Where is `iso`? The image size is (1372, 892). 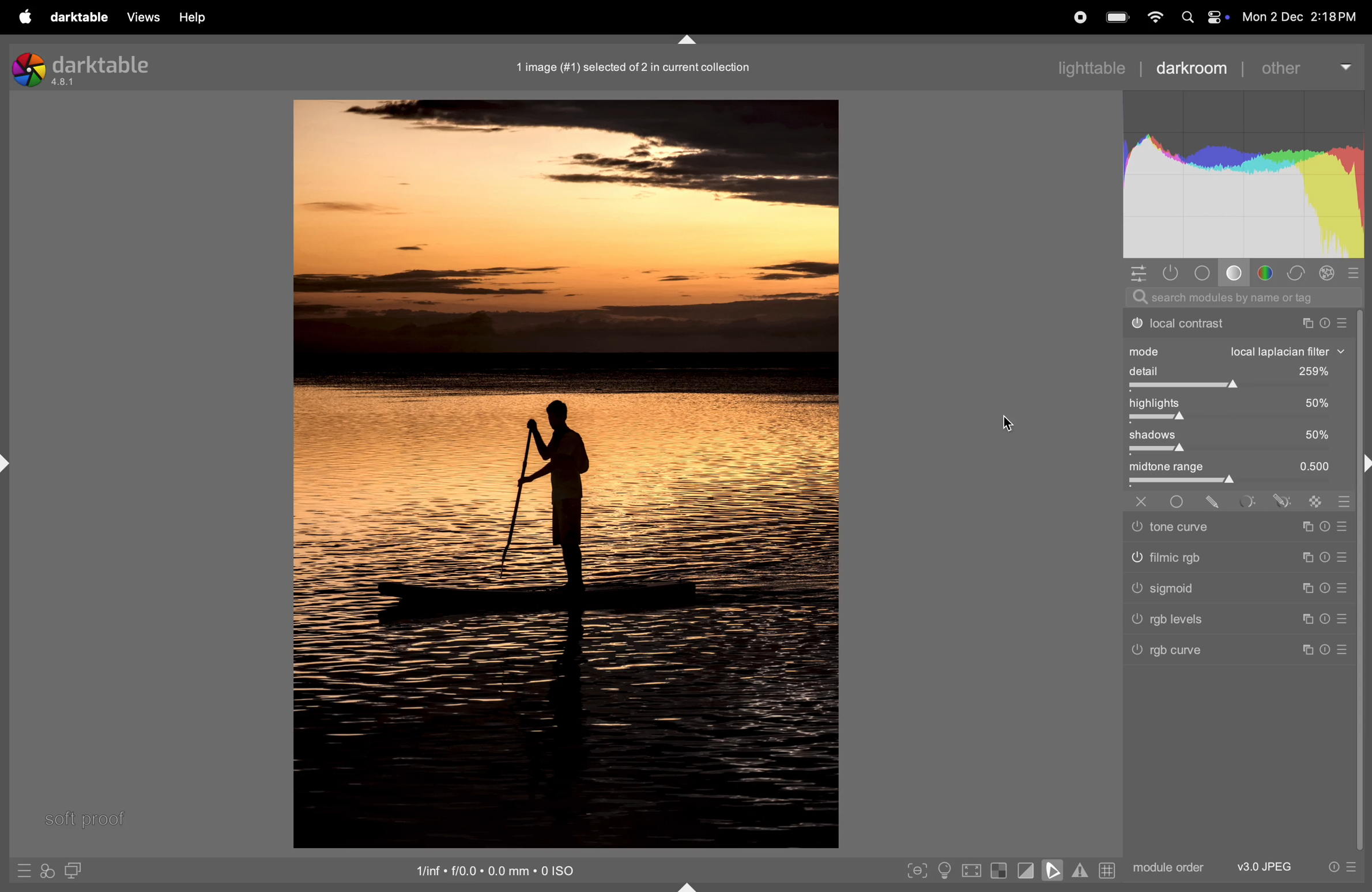
iso is located at coordinates (490, 869).